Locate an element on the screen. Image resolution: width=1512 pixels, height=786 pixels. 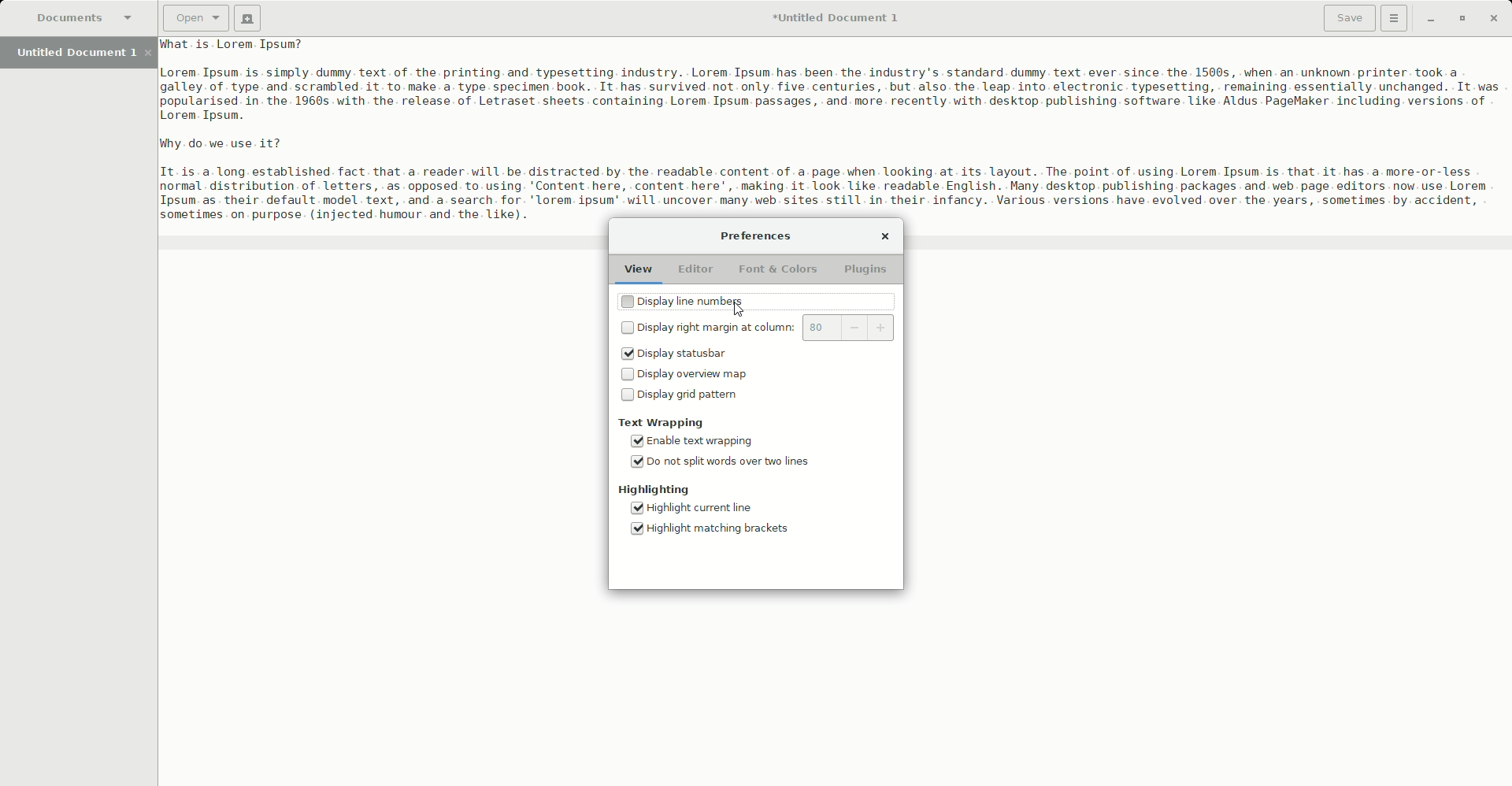
Enable text wrapping is located at coordinates (709, 443).